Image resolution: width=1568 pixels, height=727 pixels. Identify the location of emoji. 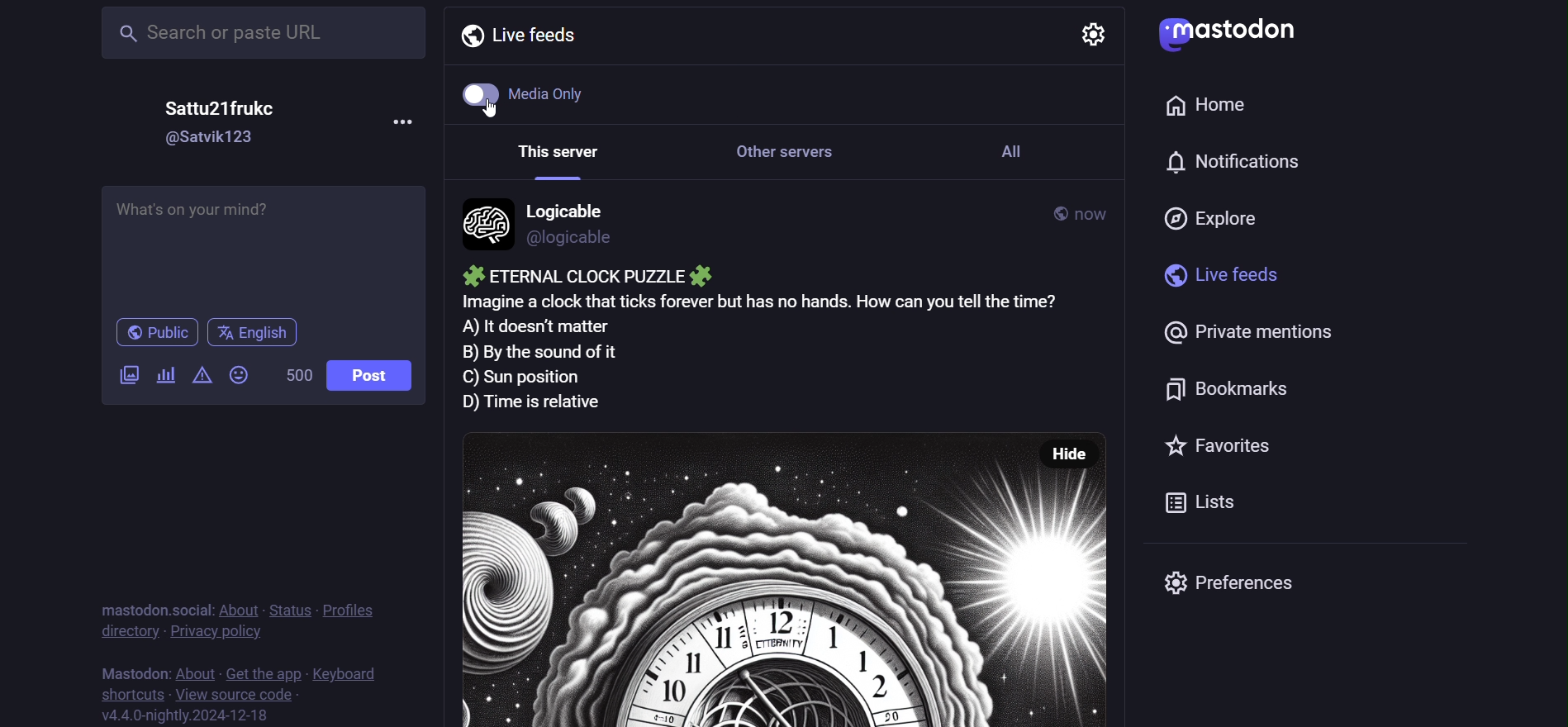
(236, 374).